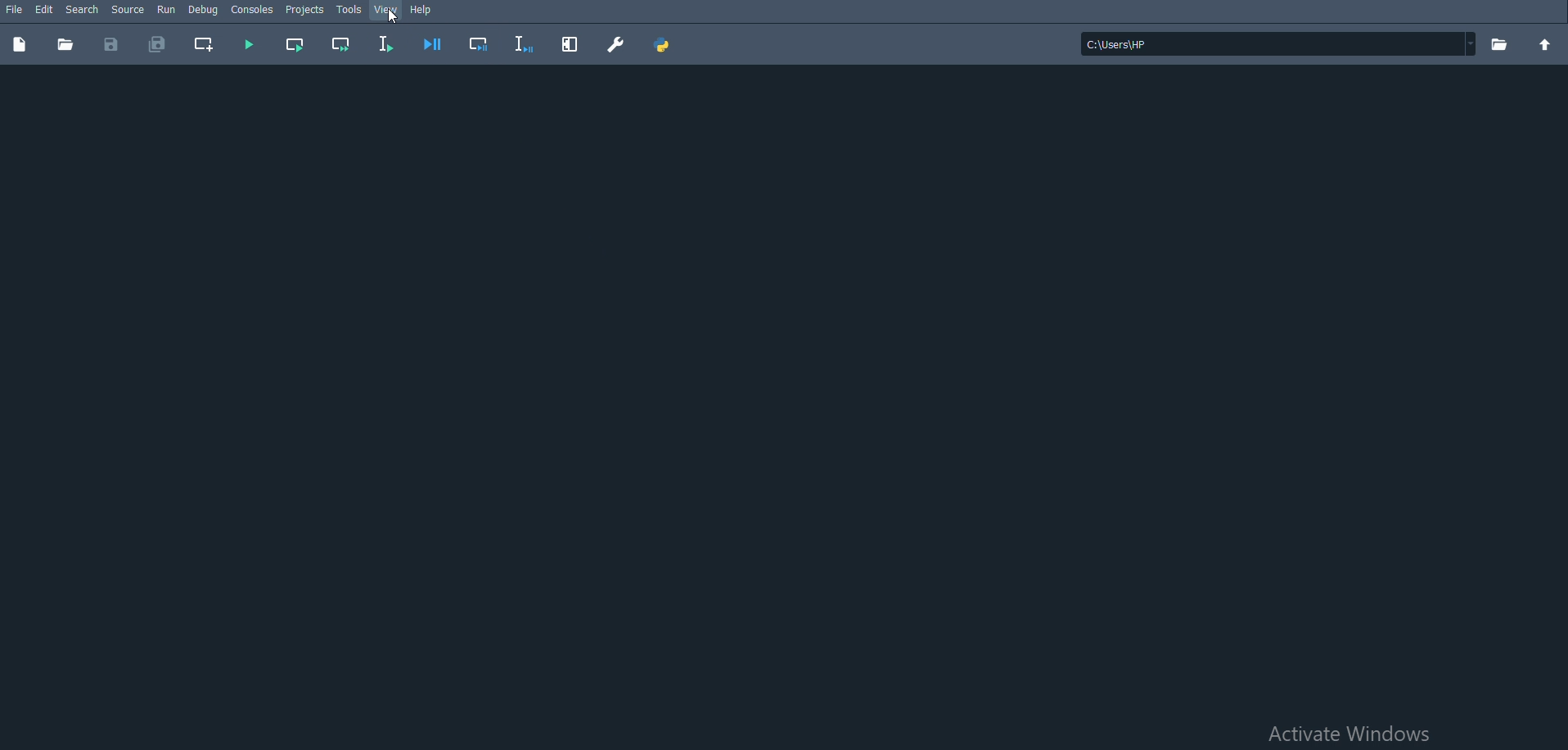 Image resolution: width=1568 pixels, height=750 pixels. Describe the element at coordinates (341, 44) in the screenshot. I see `Run current cell and go to the next one` at that location.